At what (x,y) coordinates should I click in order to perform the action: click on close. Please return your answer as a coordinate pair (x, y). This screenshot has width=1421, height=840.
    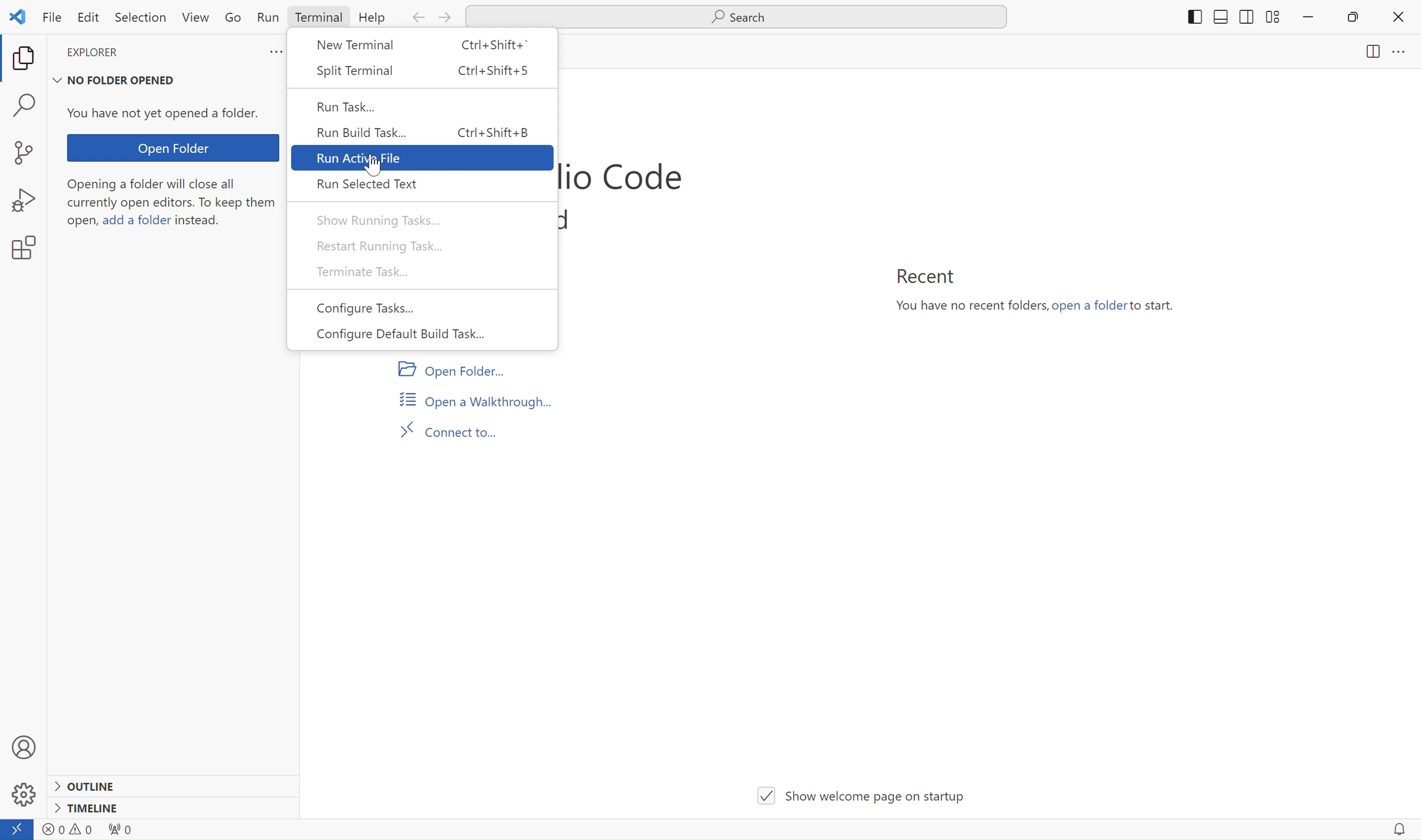
    Looking at the image, I should click on (1397, 14).